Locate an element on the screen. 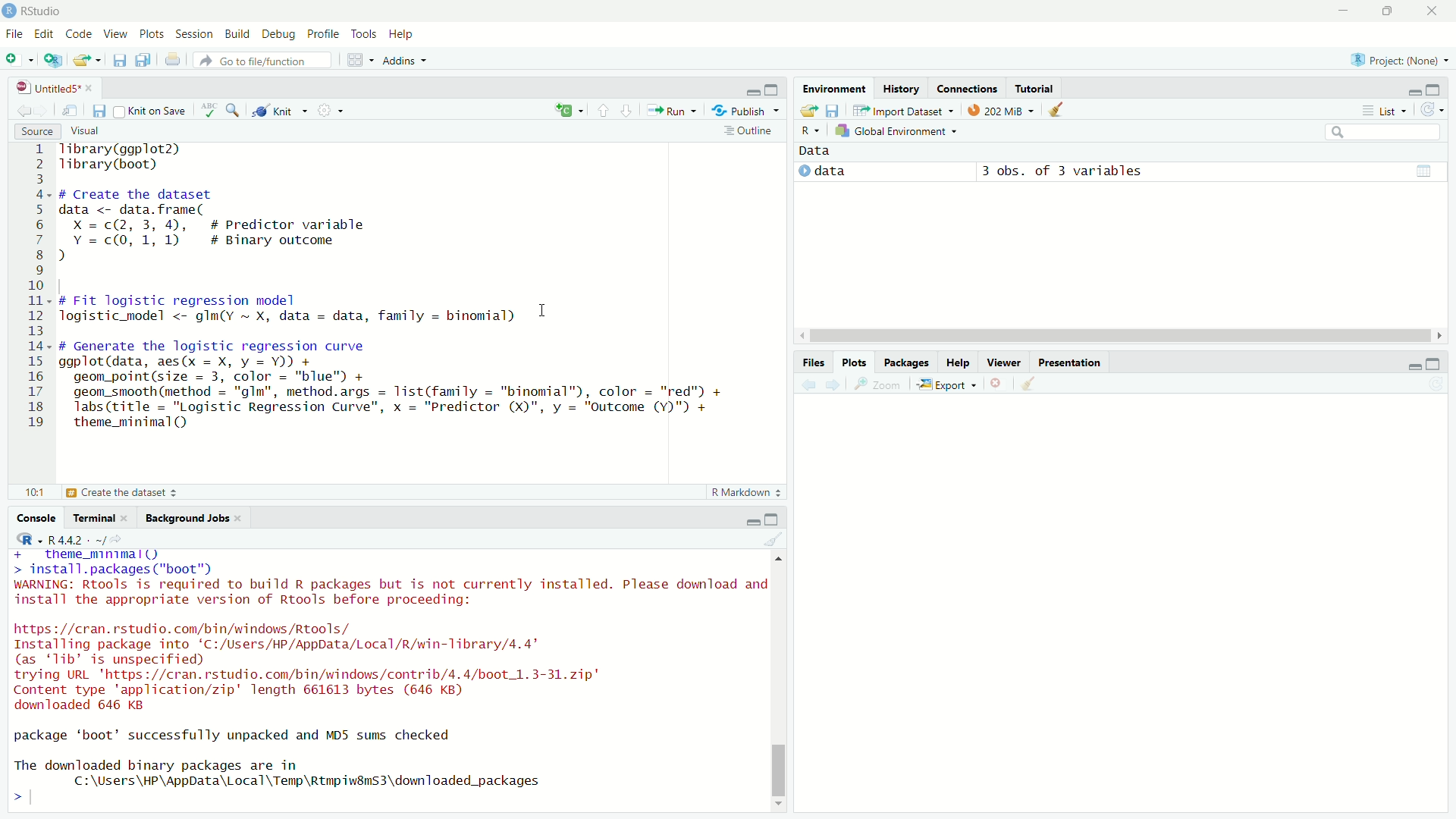 Image resolution: width=1456 pixels, height=819 pixels. data is located at coordinates (830, 171).